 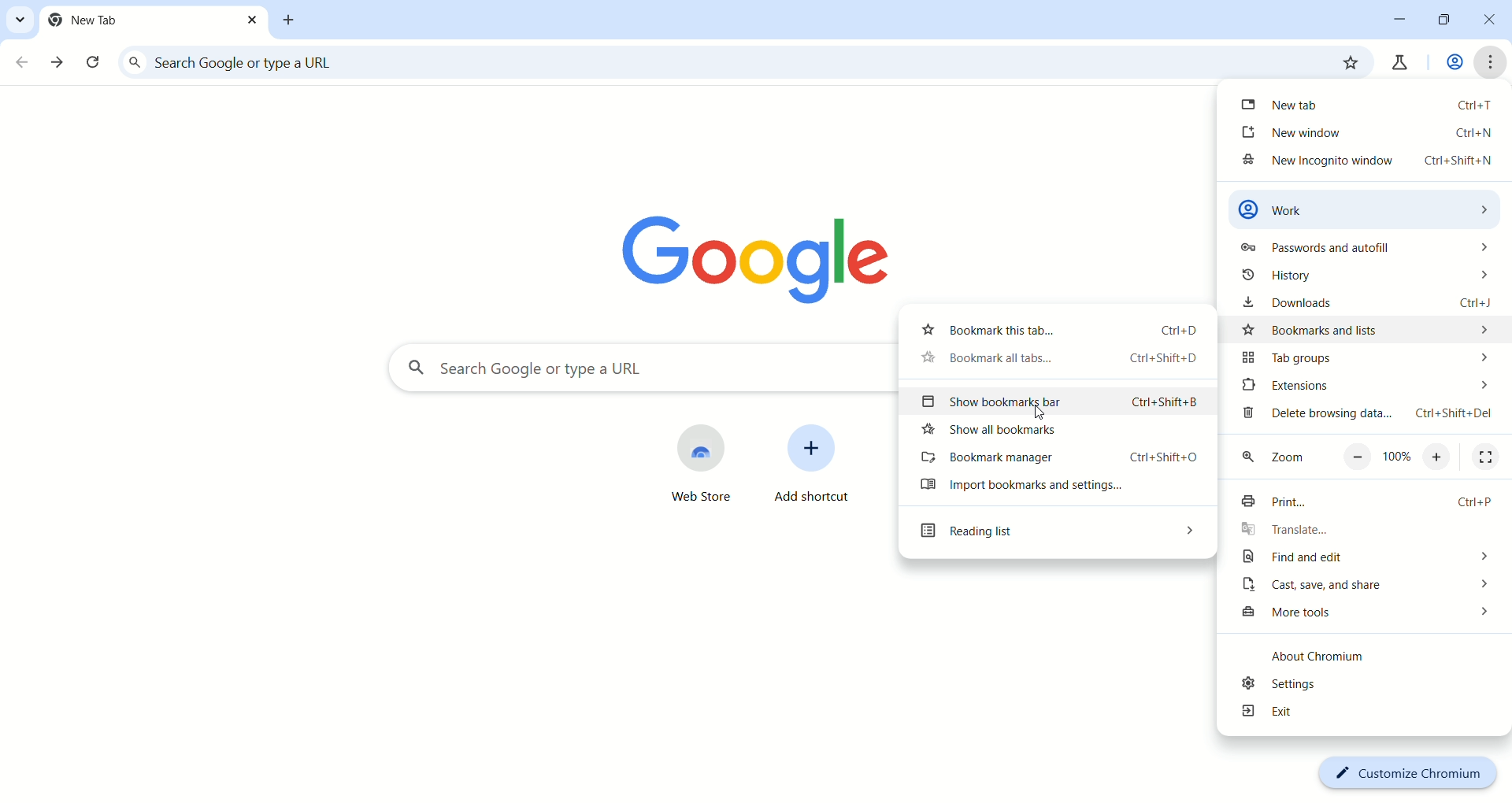 What do you see at coordinates (1333, 659) in the screenshot?
I see `about chromium` at bounding box center [1333, 659].